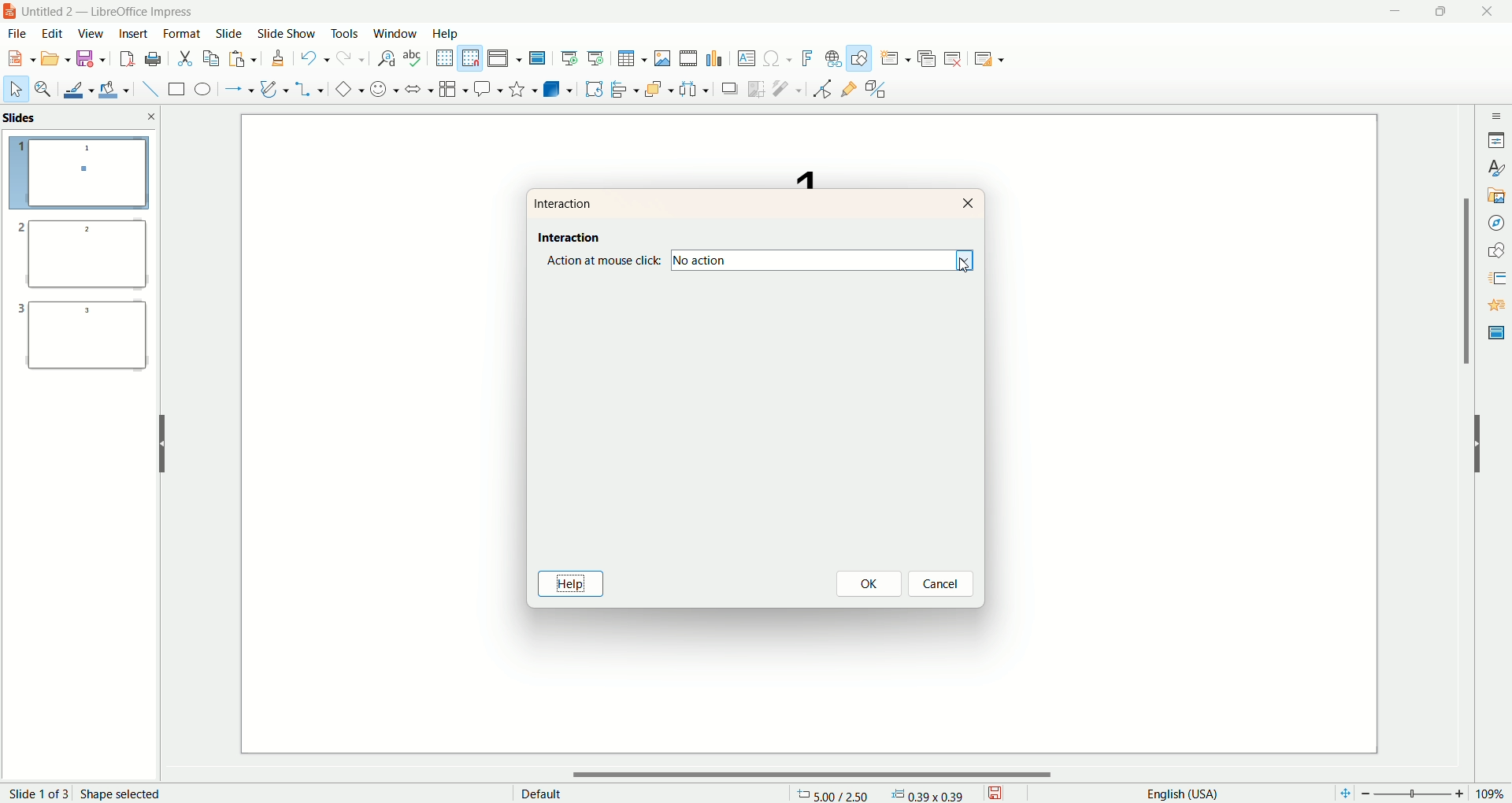 This screenshot has height=803, width=1512. Describe the element at coordinates (1496, 248) in the screenshot. I see `shapes` at that location.